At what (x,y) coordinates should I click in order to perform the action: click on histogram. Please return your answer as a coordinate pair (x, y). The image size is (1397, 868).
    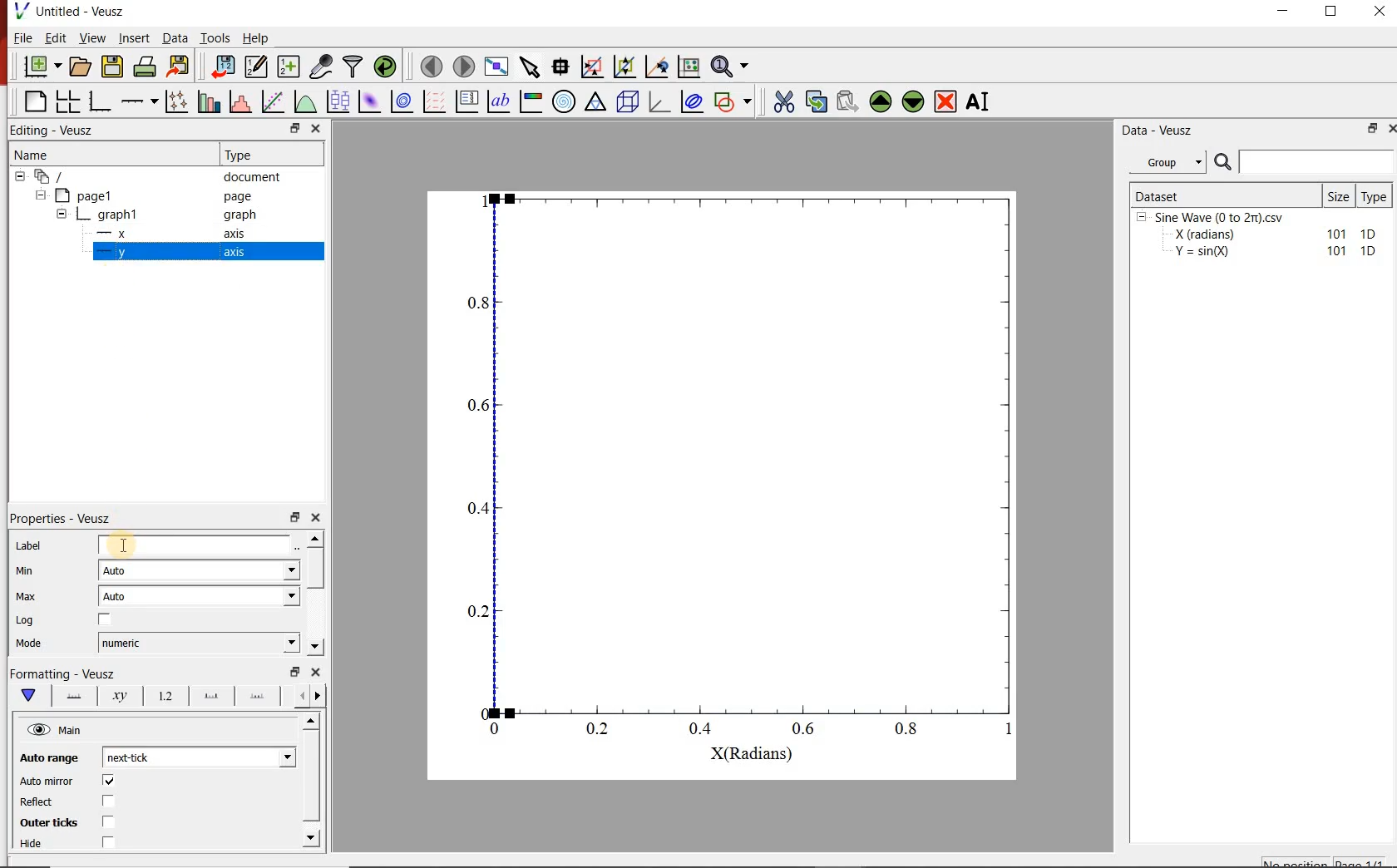
    Looking at the image, I should click on (242, 101).